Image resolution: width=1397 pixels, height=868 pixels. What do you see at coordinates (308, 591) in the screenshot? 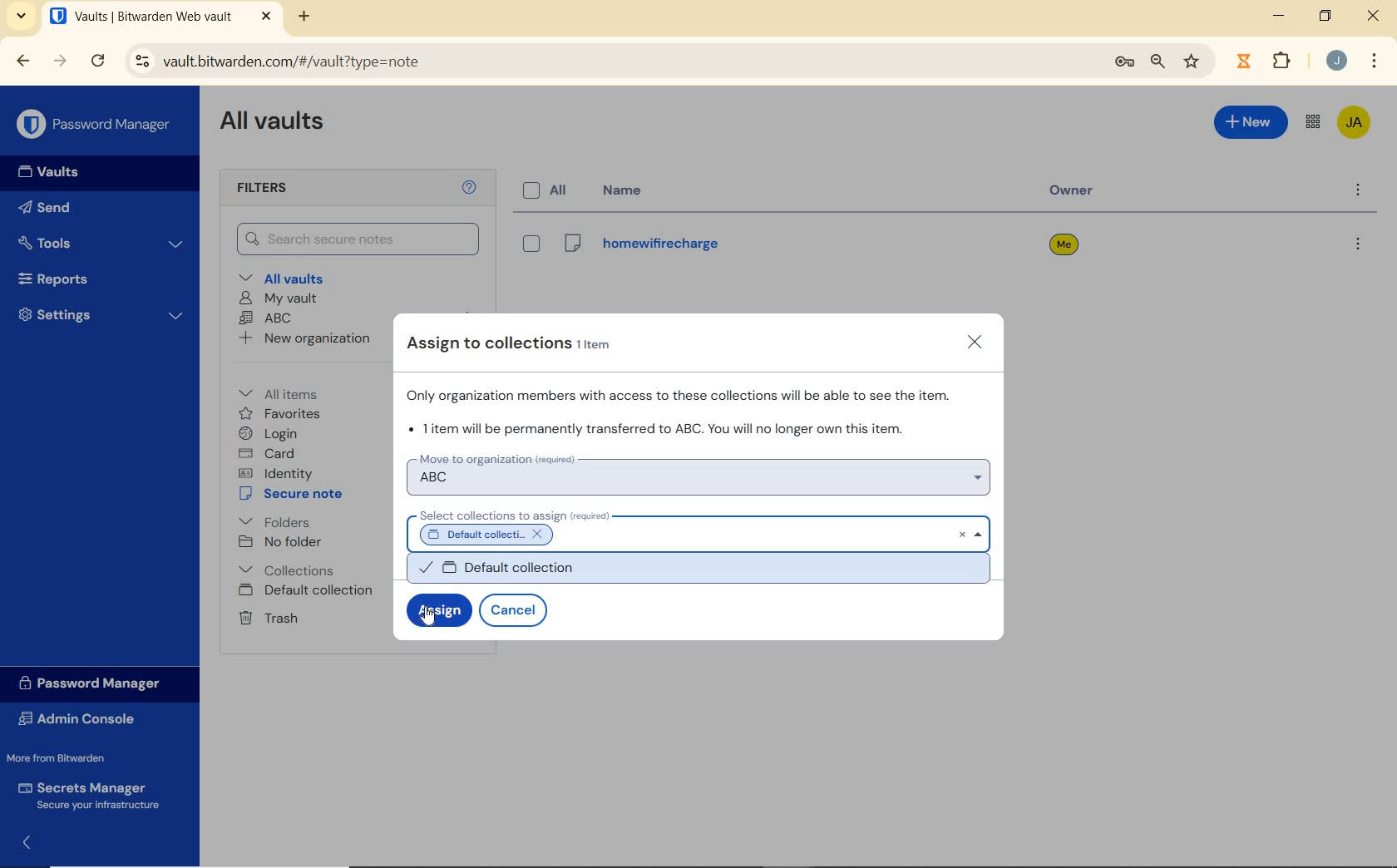
I see `Default collection` at bounding box center [308, 591].